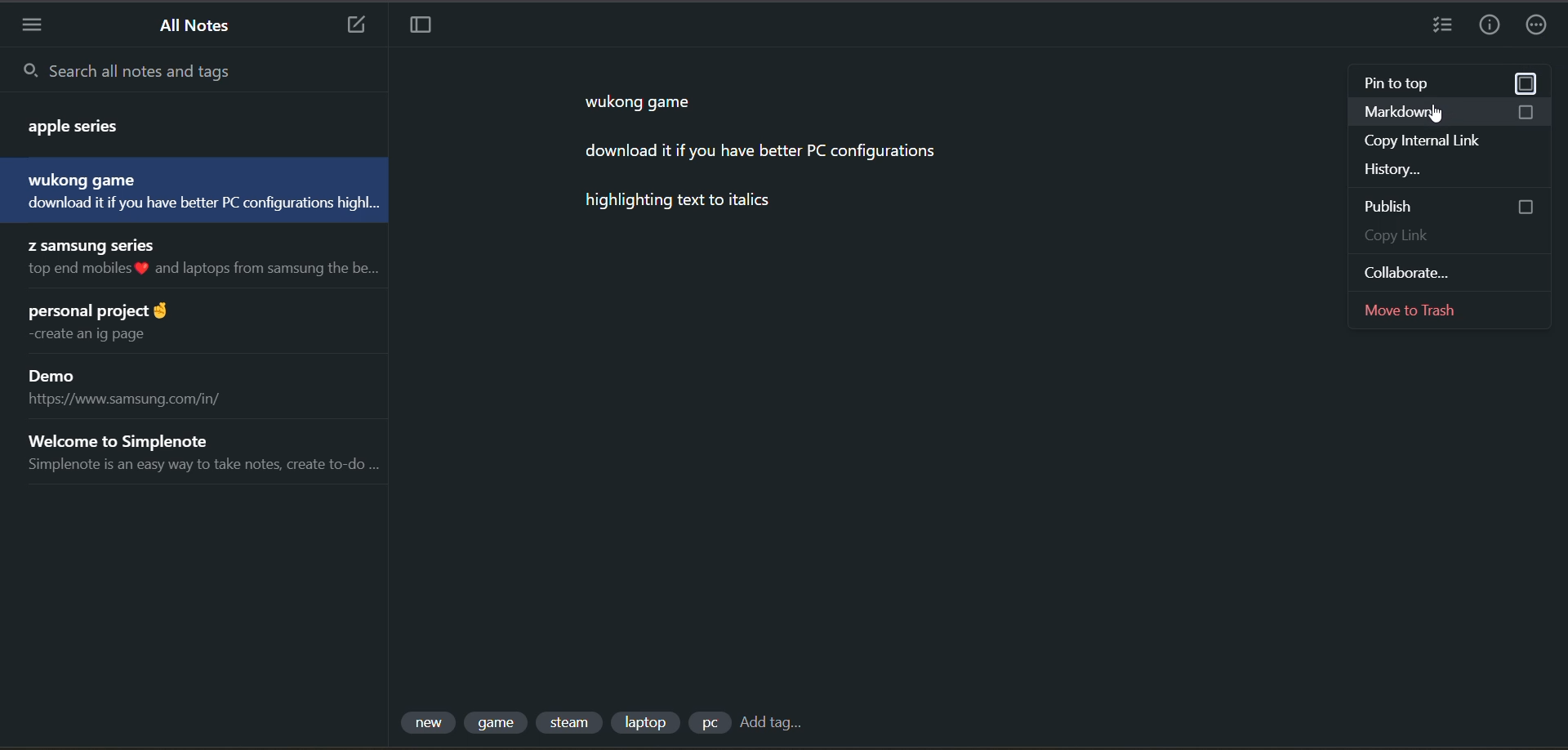 The image size is (1568, 750). What do you see at coordinates (1425, 307) in the screenshot?
I see `move to trash` at bounding box center [1425, 307].